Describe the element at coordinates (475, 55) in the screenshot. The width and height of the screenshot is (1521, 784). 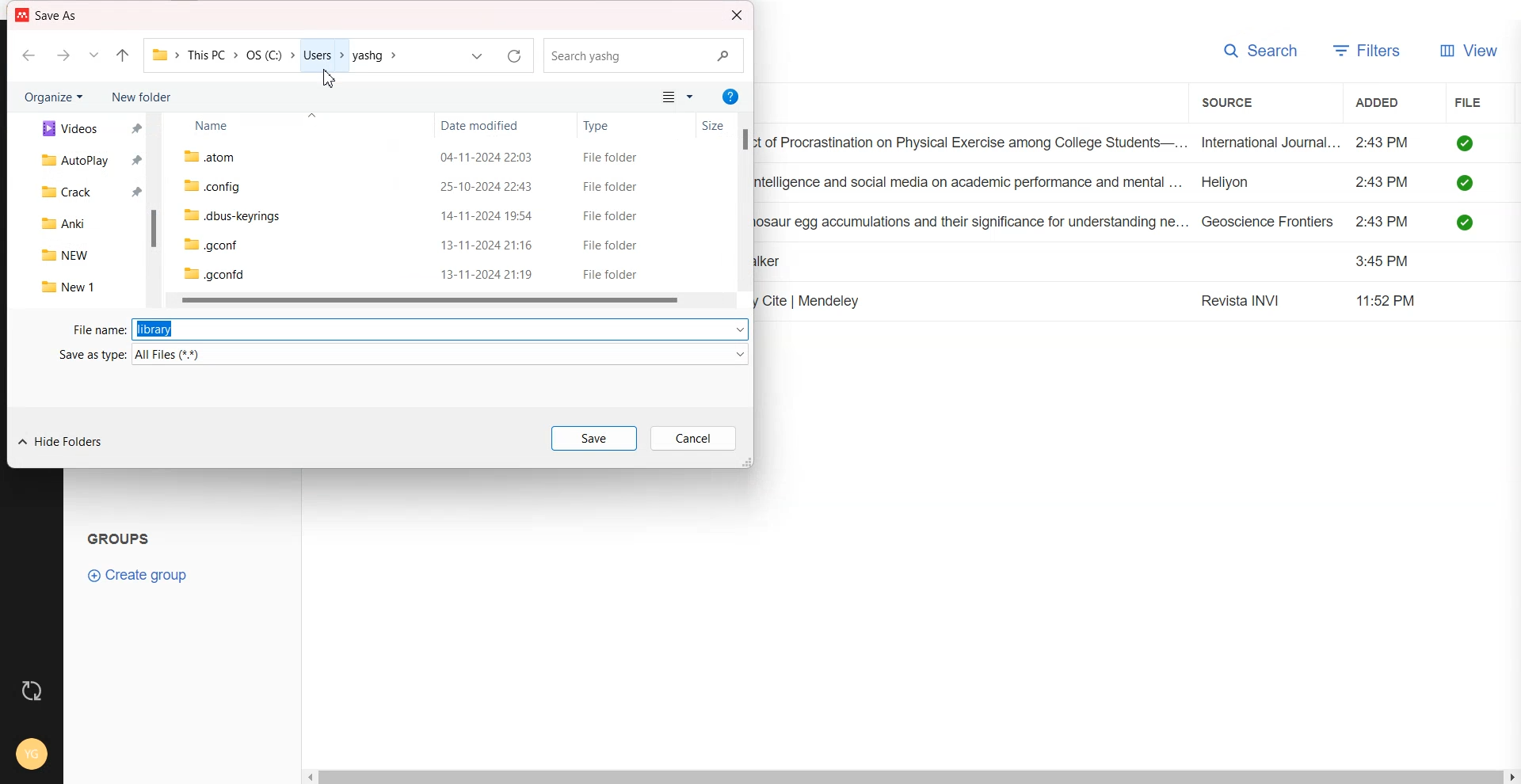
I see `drop down` at that location.